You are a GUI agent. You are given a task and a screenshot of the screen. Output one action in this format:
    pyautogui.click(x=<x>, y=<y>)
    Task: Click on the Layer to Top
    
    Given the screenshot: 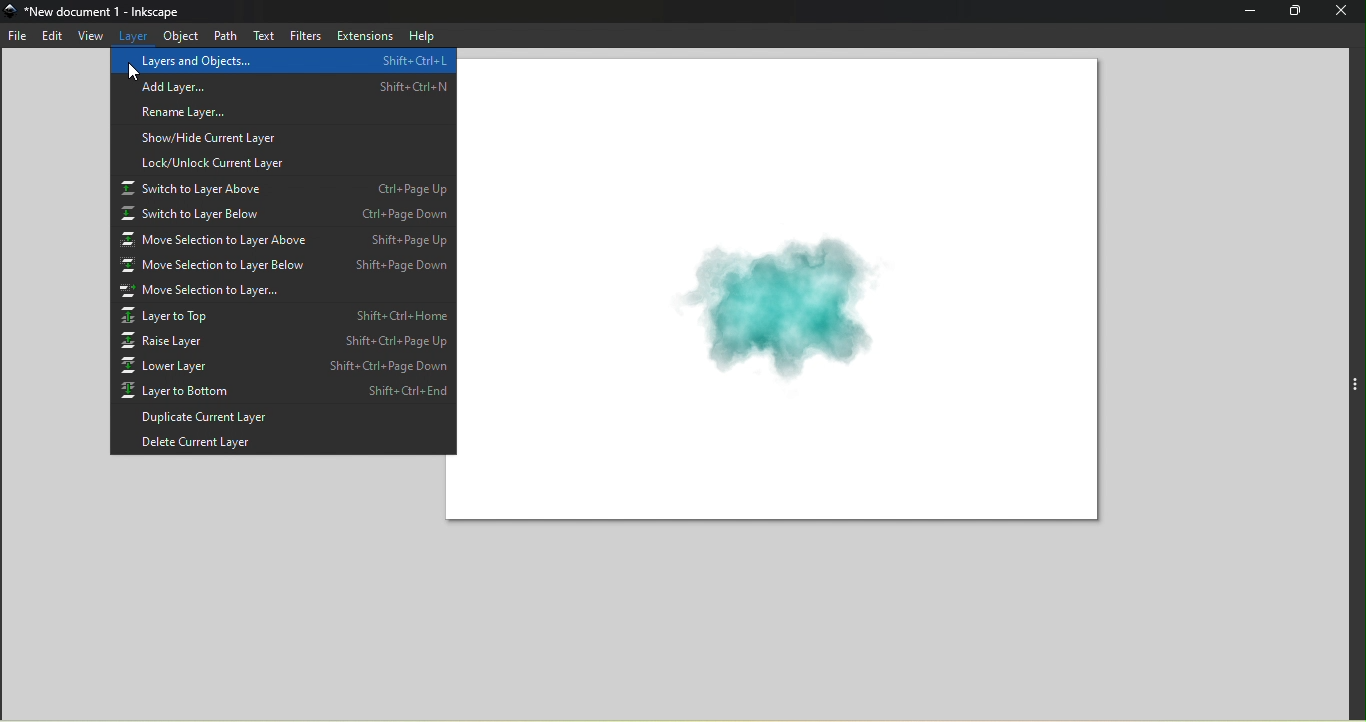 What is the action you would take?
    pyautogui.click(x=283, y=316)
    